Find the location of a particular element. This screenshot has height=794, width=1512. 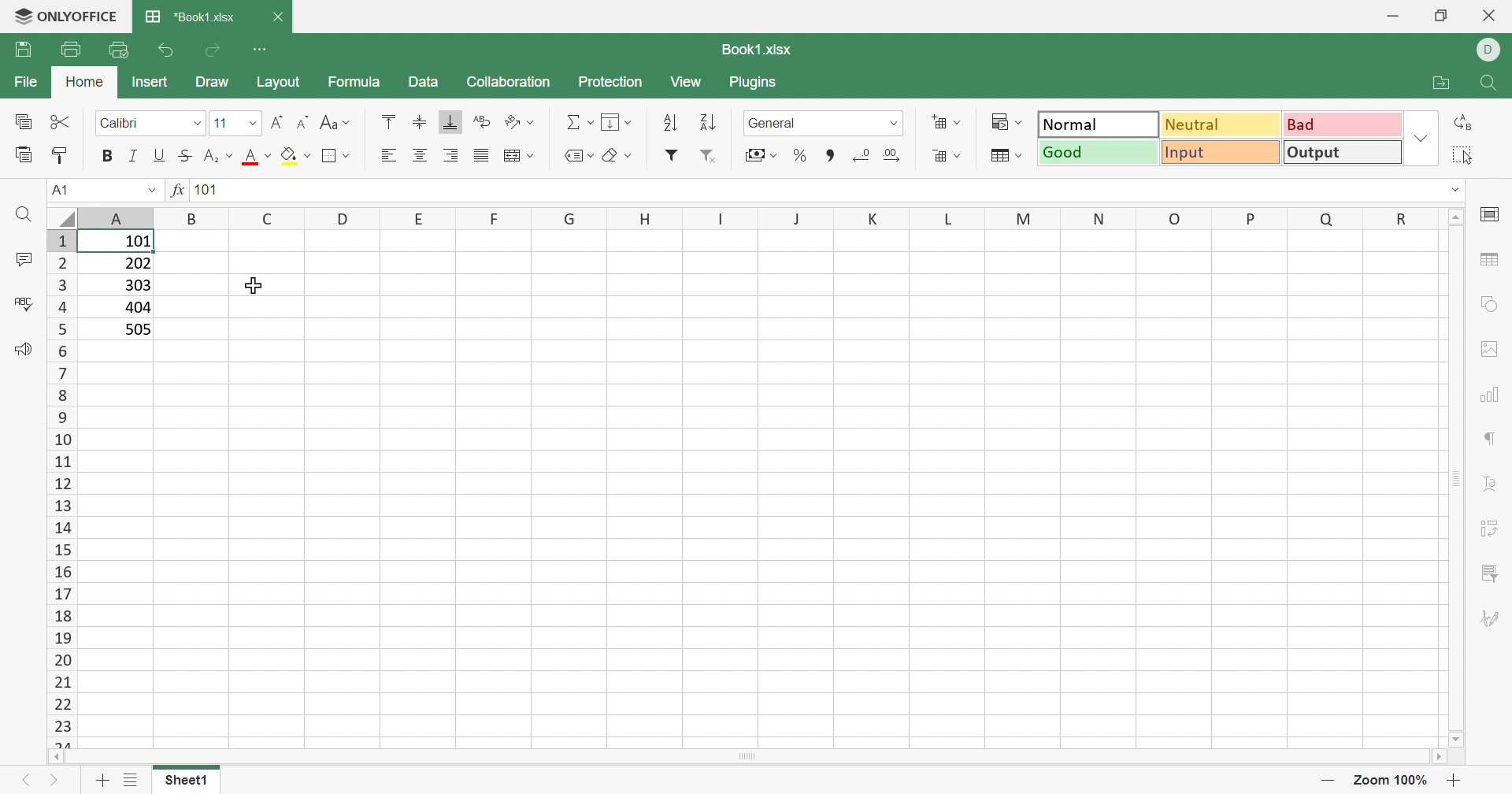

Find is located at coordinates (21, 214).